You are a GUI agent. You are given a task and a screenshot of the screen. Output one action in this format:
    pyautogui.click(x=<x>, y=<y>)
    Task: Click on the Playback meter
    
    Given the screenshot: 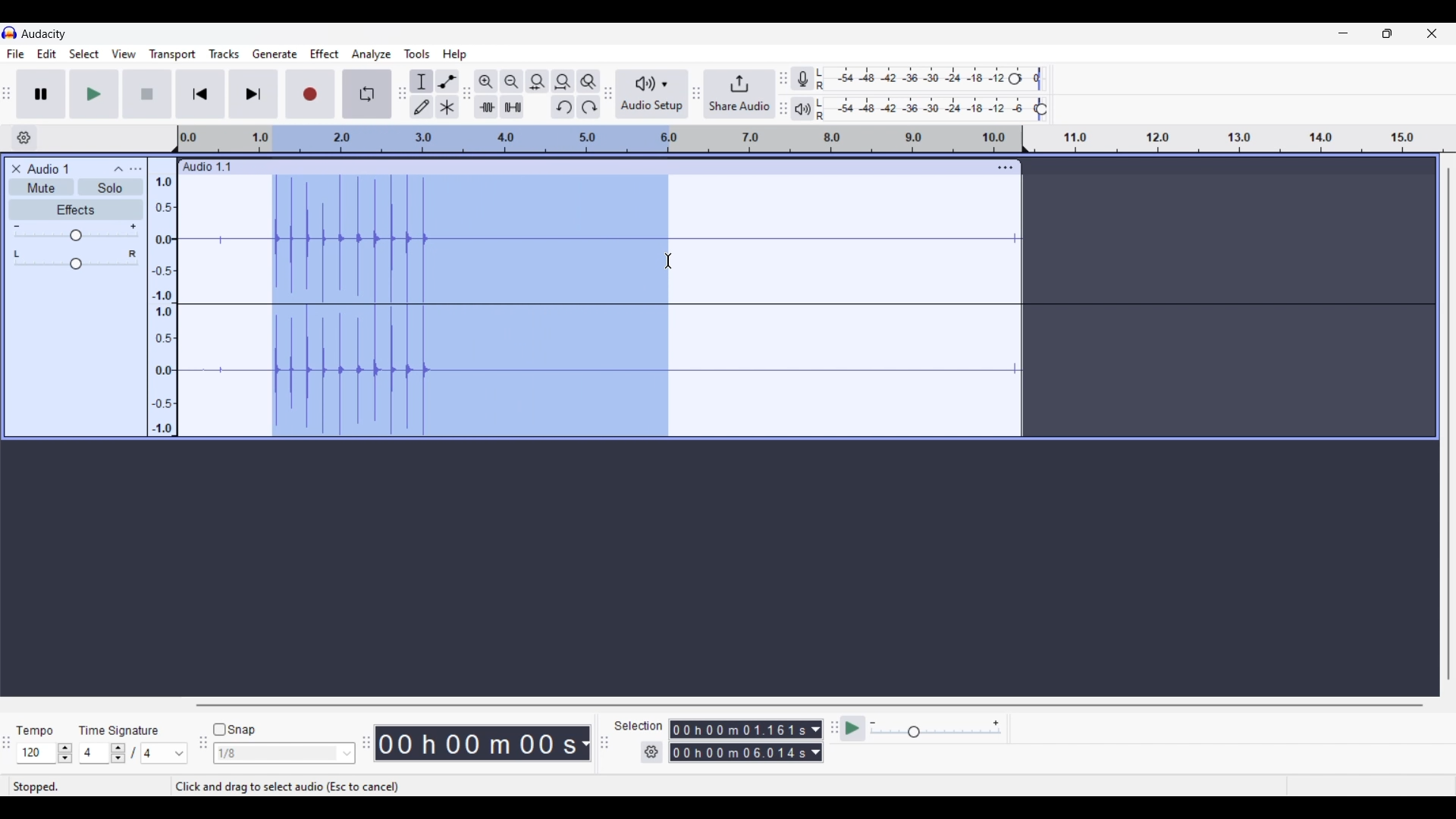 What is the action you would take?
    pyautogui.click(x=802, y=109)
    